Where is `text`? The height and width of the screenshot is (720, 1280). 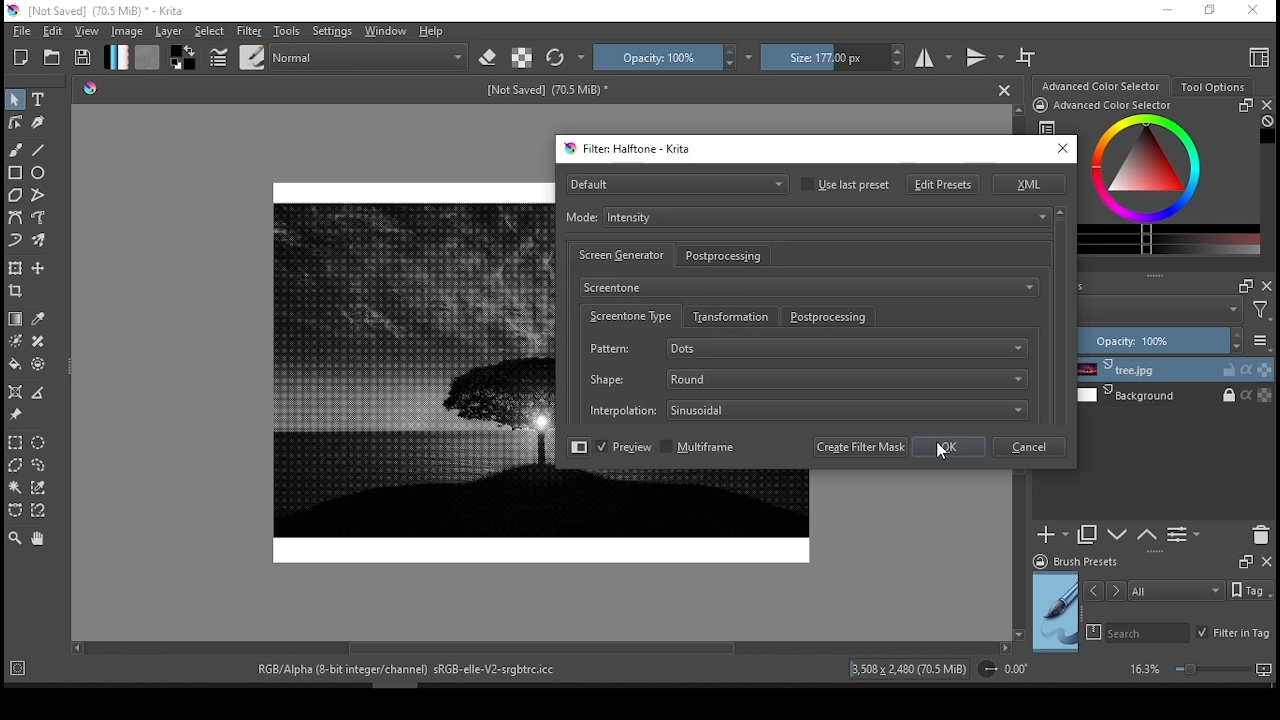 text is located at coordinates (400, 670).